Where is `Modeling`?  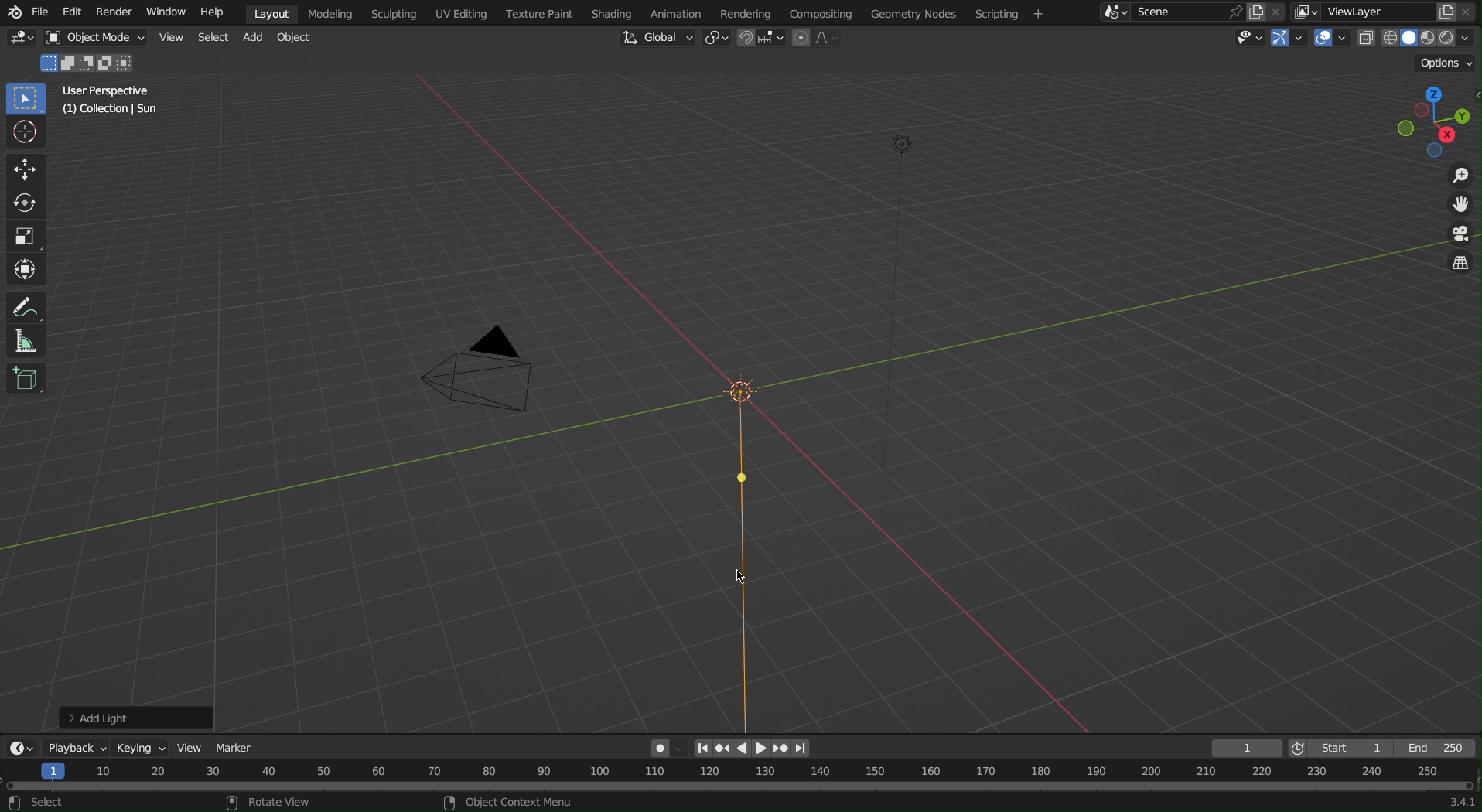
Modeling is located at coordinates (335, 13).